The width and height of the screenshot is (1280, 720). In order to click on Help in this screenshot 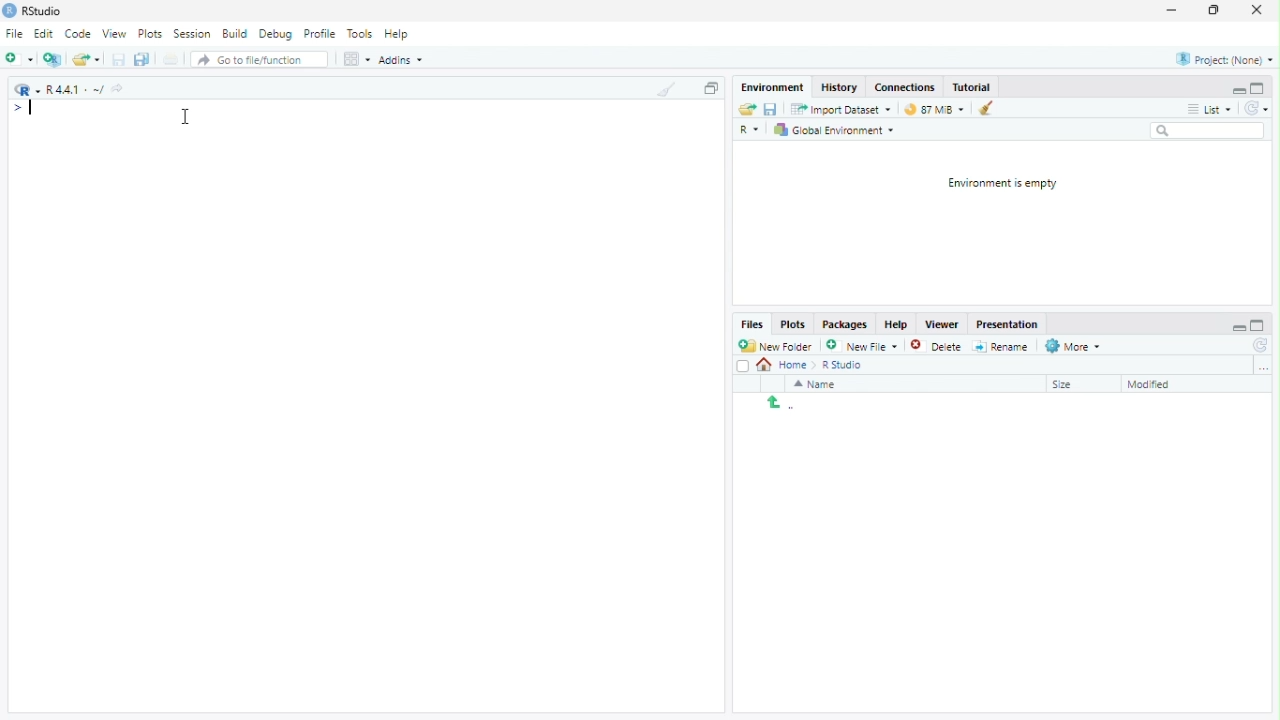, I will do `click(897, 323)`.